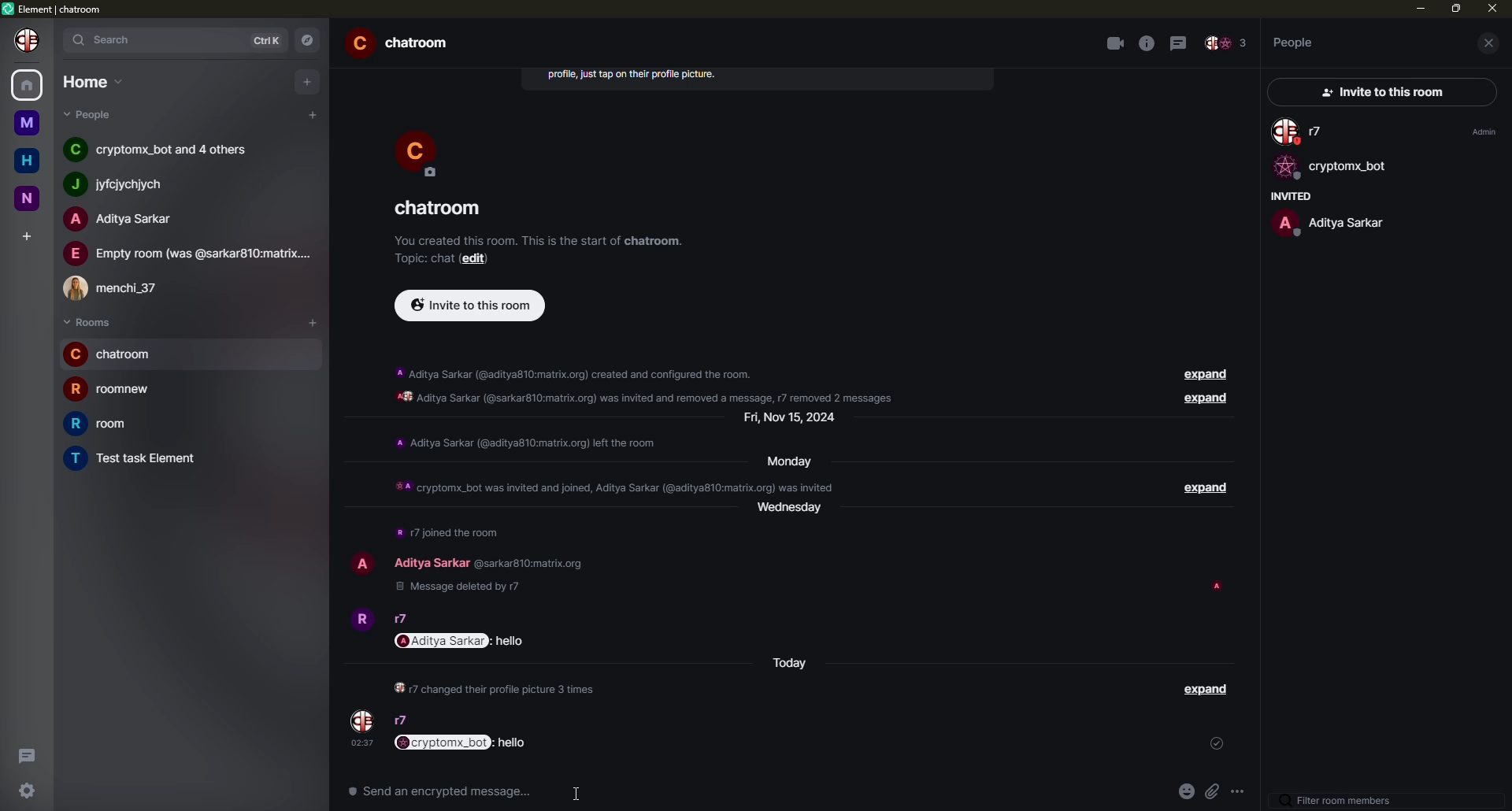 The height and width of the screenshot is (811, 1512). Describe the element at coordinates (1217, 746) in the screenshot. I see `sent` at that location.